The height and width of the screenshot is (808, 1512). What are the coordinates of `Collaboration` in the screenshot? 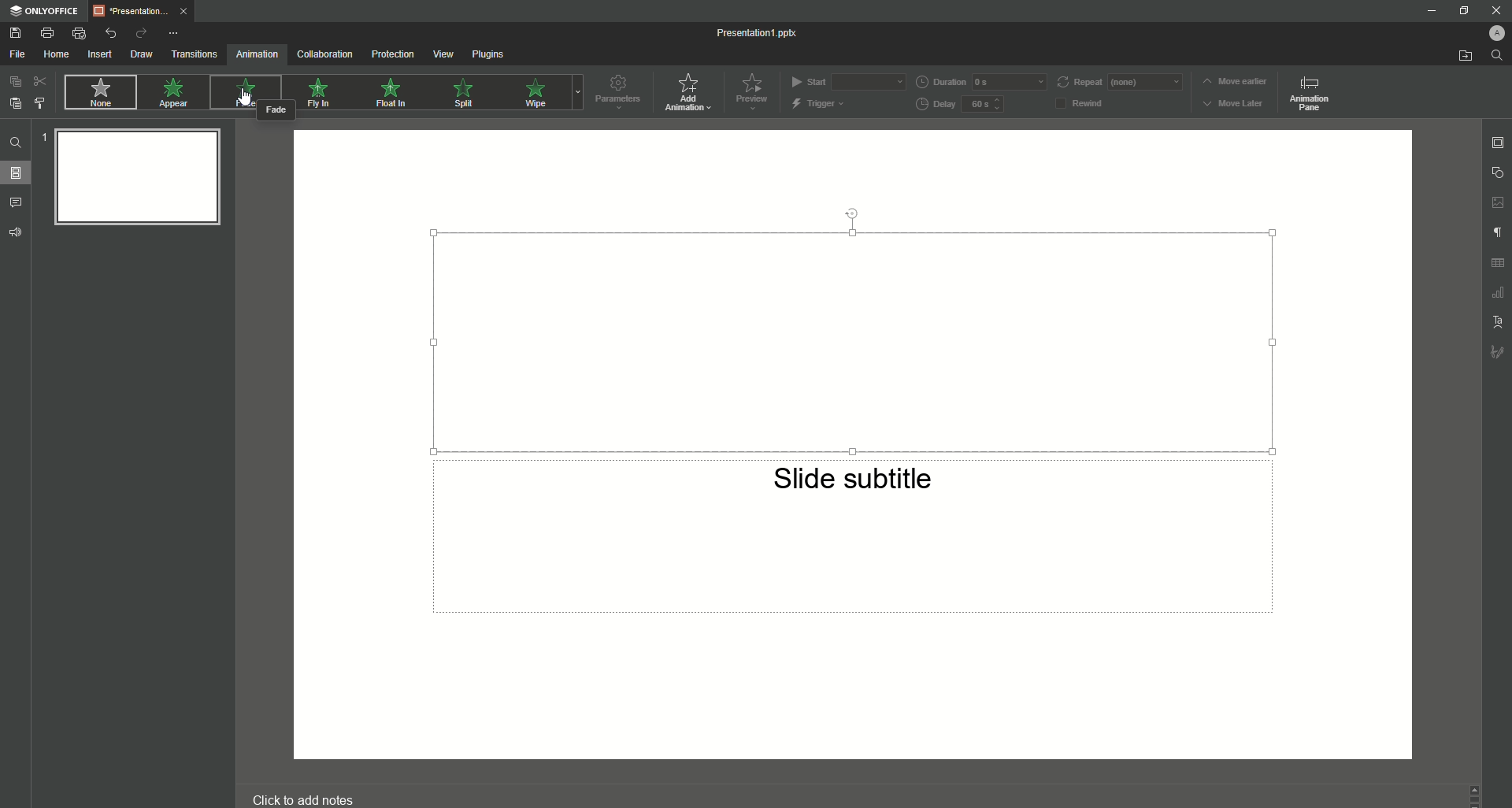 It's located at (323, 55).